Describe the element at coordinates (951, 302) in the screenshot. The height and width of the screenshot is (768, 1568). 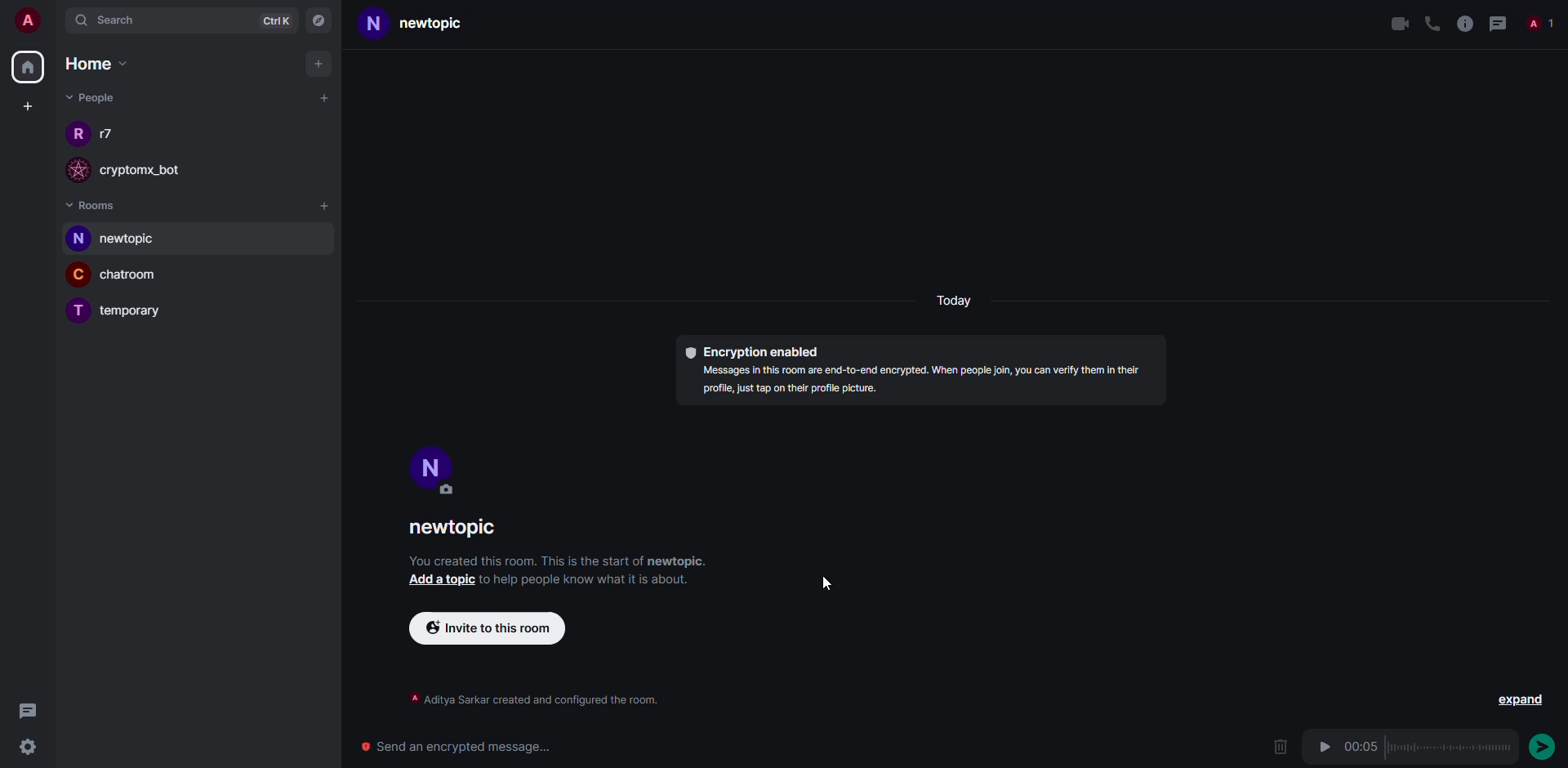
I see `day` at that location.